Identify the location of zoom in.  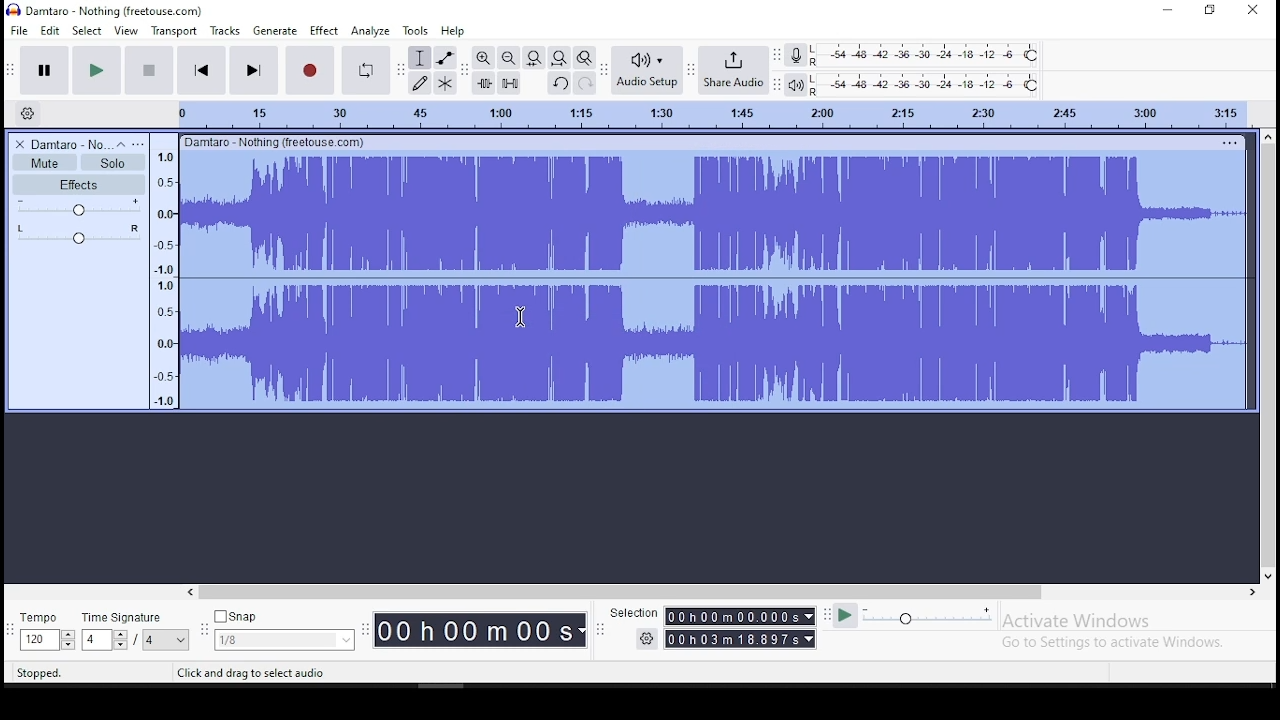
(483, 56).